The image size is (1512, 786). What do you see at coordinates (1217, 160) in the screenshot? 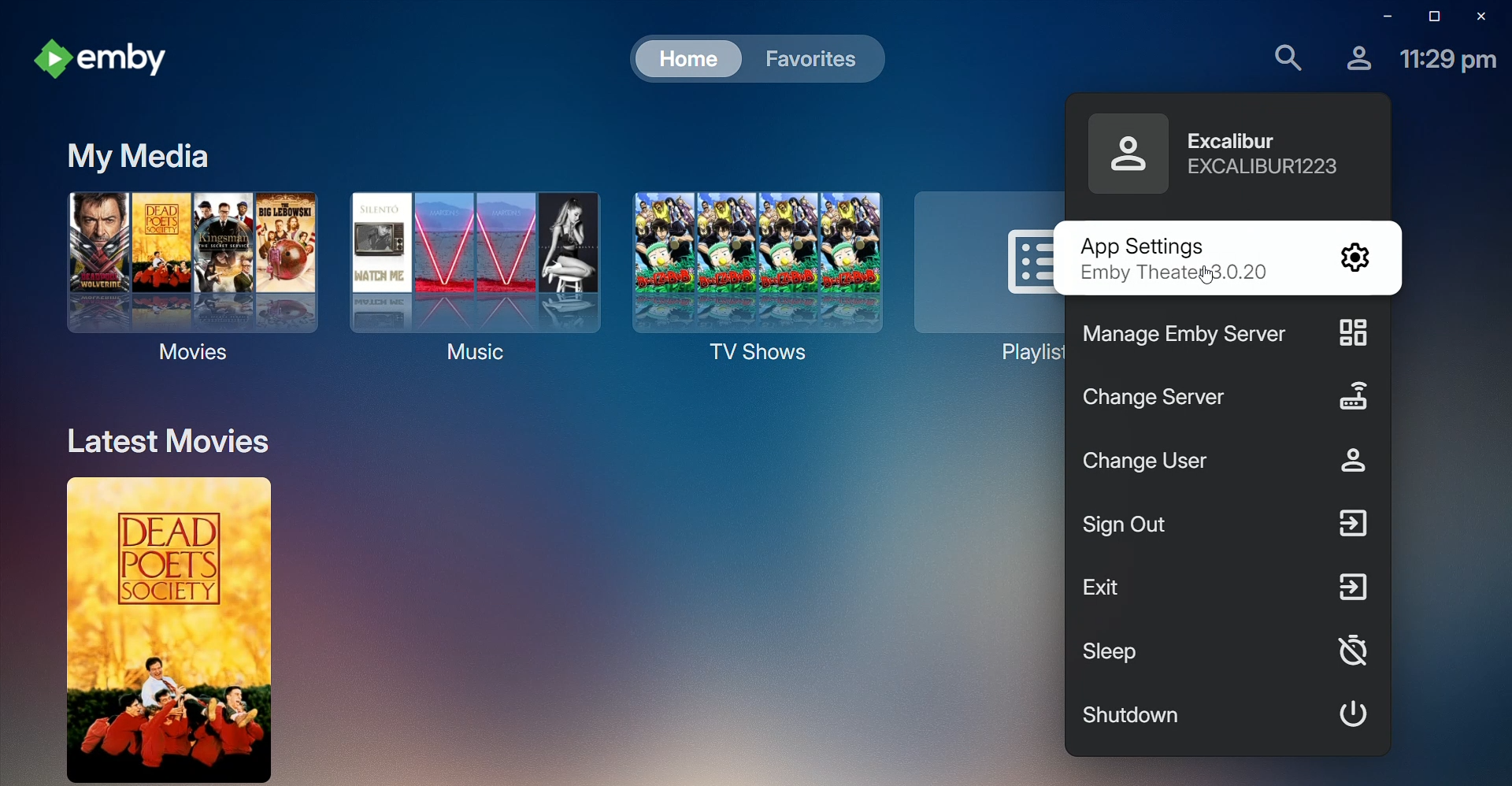
I see `Excalibur` at bounding box center [1217, 160].